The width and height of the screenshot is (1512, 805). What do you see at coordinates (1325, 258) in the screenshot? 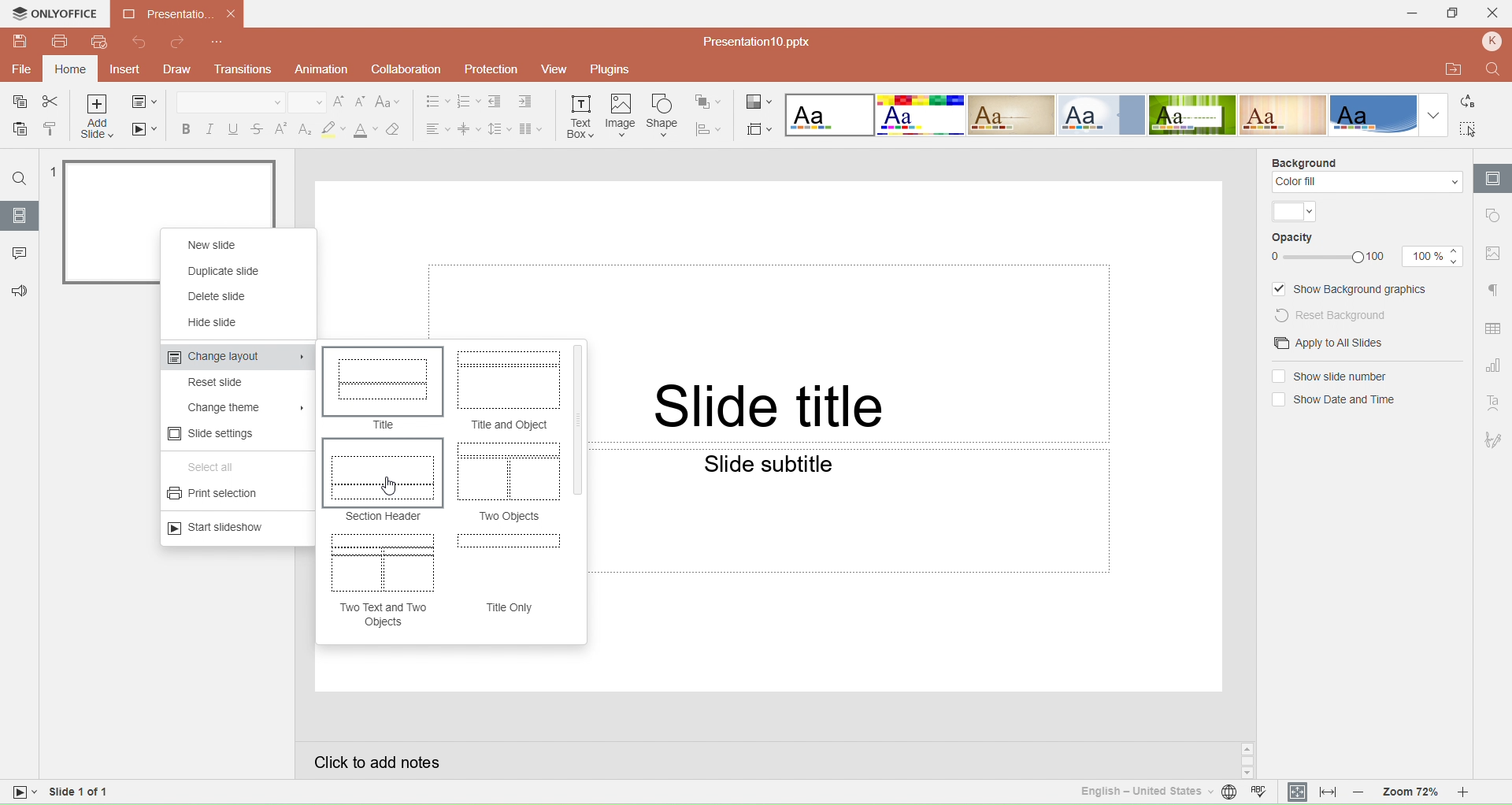
I see `Opacity Slider` at bounding box center [1325, 258].